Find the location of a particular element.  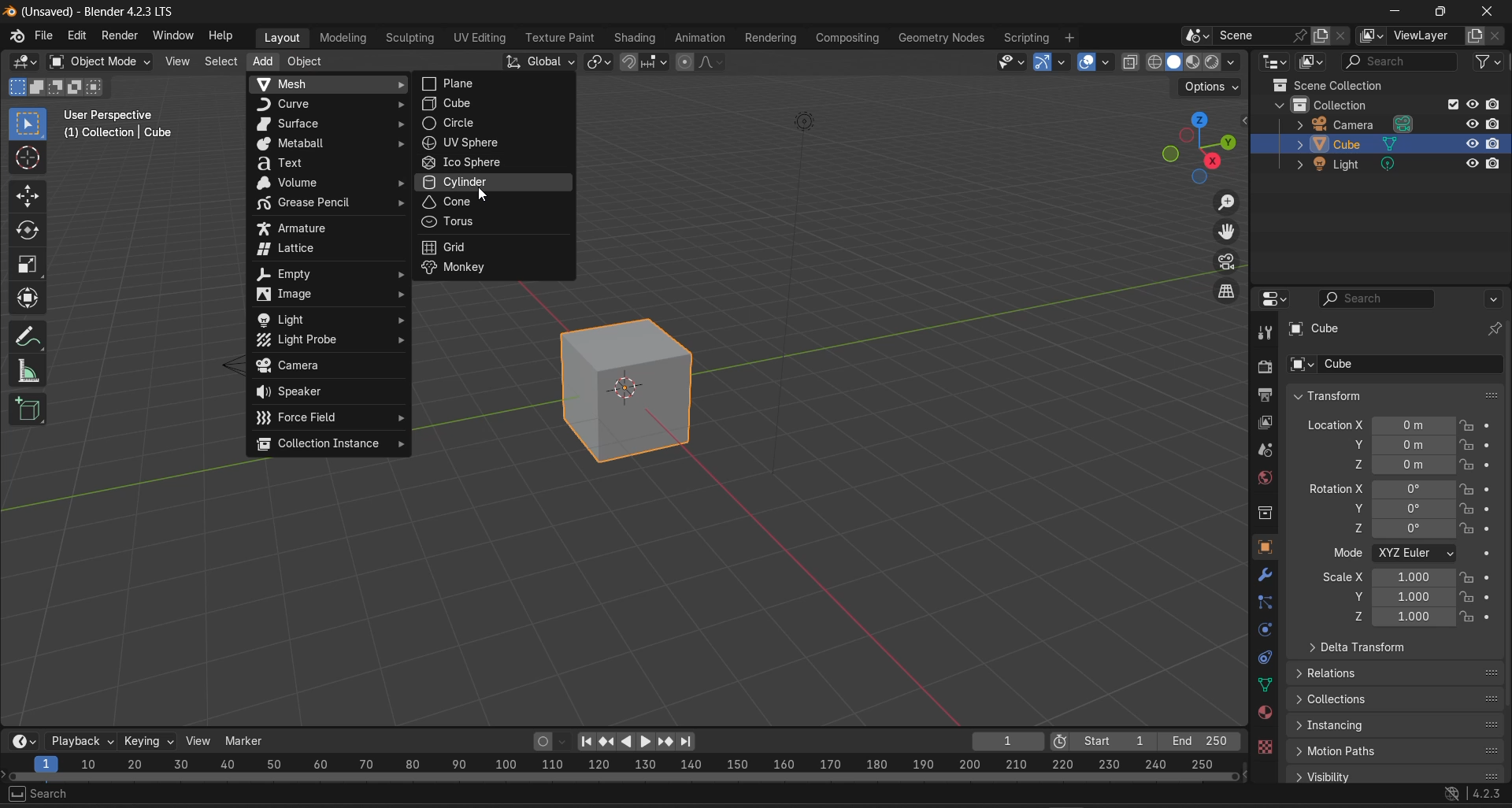

jump to end point is located at coordinates (689, 740).